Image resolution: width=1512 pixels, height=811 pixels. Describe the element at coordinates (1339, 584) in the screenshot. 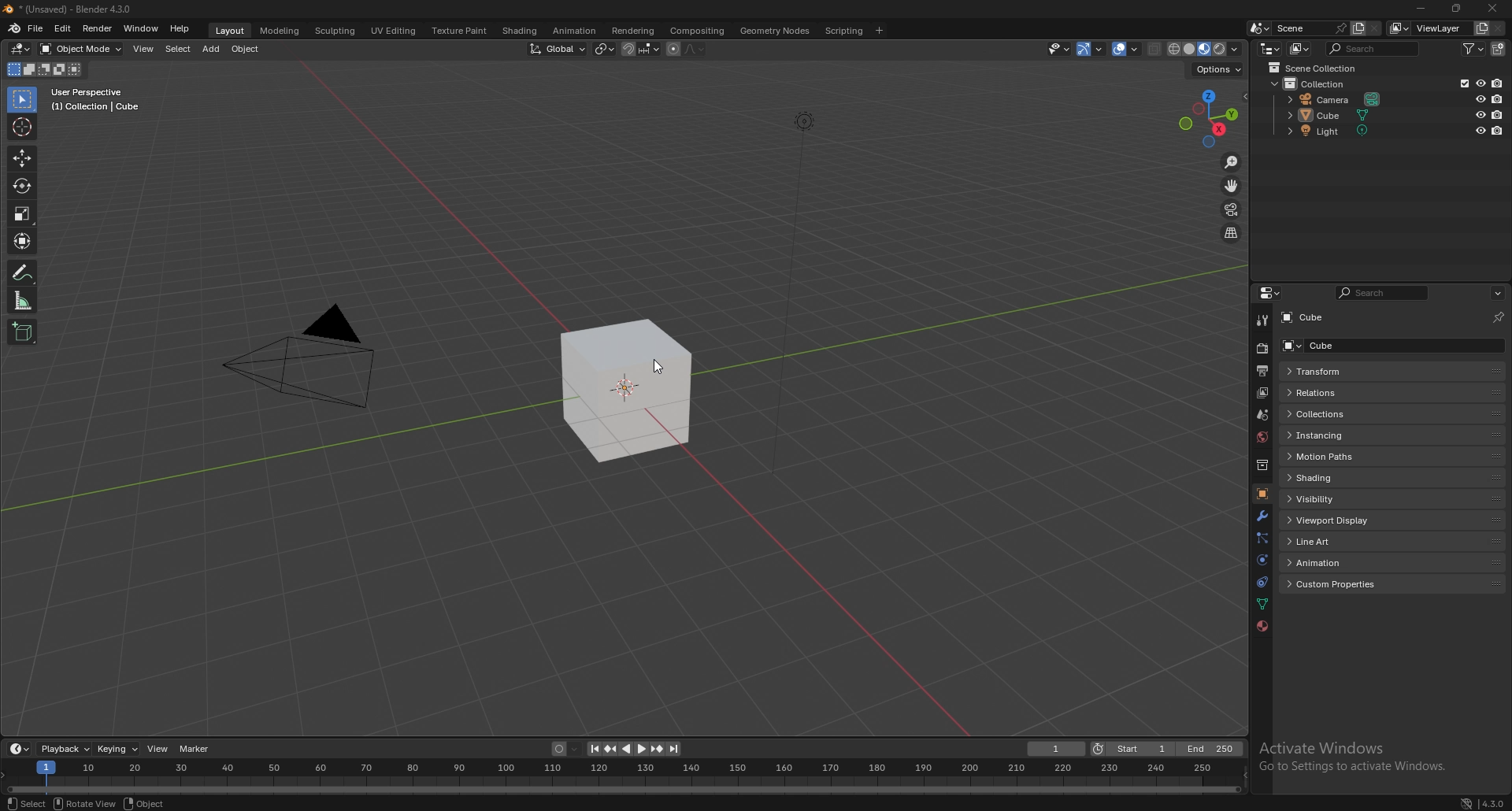

I see `custom properties` at that location.